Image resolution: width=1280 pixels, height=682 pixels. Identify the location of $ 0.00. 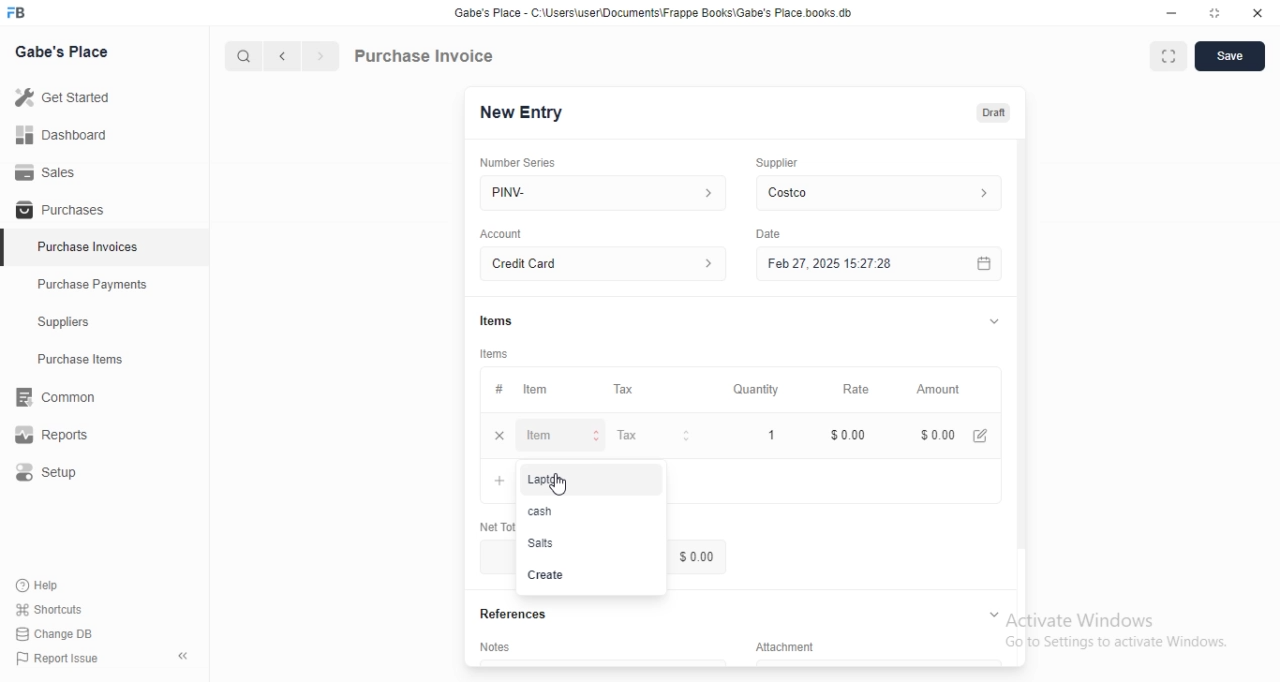
(697, 556).